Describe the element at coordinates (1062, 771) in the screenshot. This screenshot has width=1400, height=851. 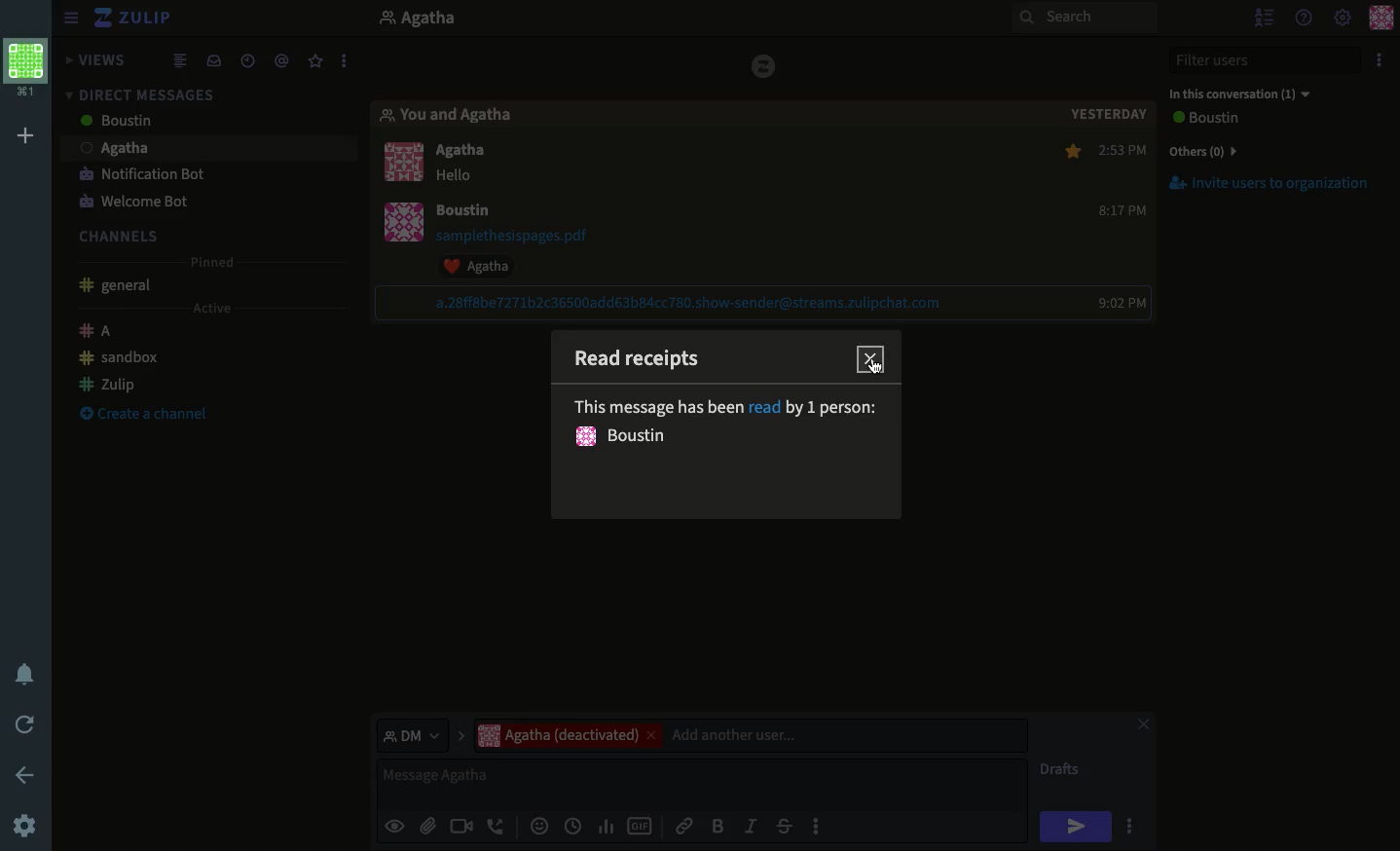
I see `Drafts` at that location.